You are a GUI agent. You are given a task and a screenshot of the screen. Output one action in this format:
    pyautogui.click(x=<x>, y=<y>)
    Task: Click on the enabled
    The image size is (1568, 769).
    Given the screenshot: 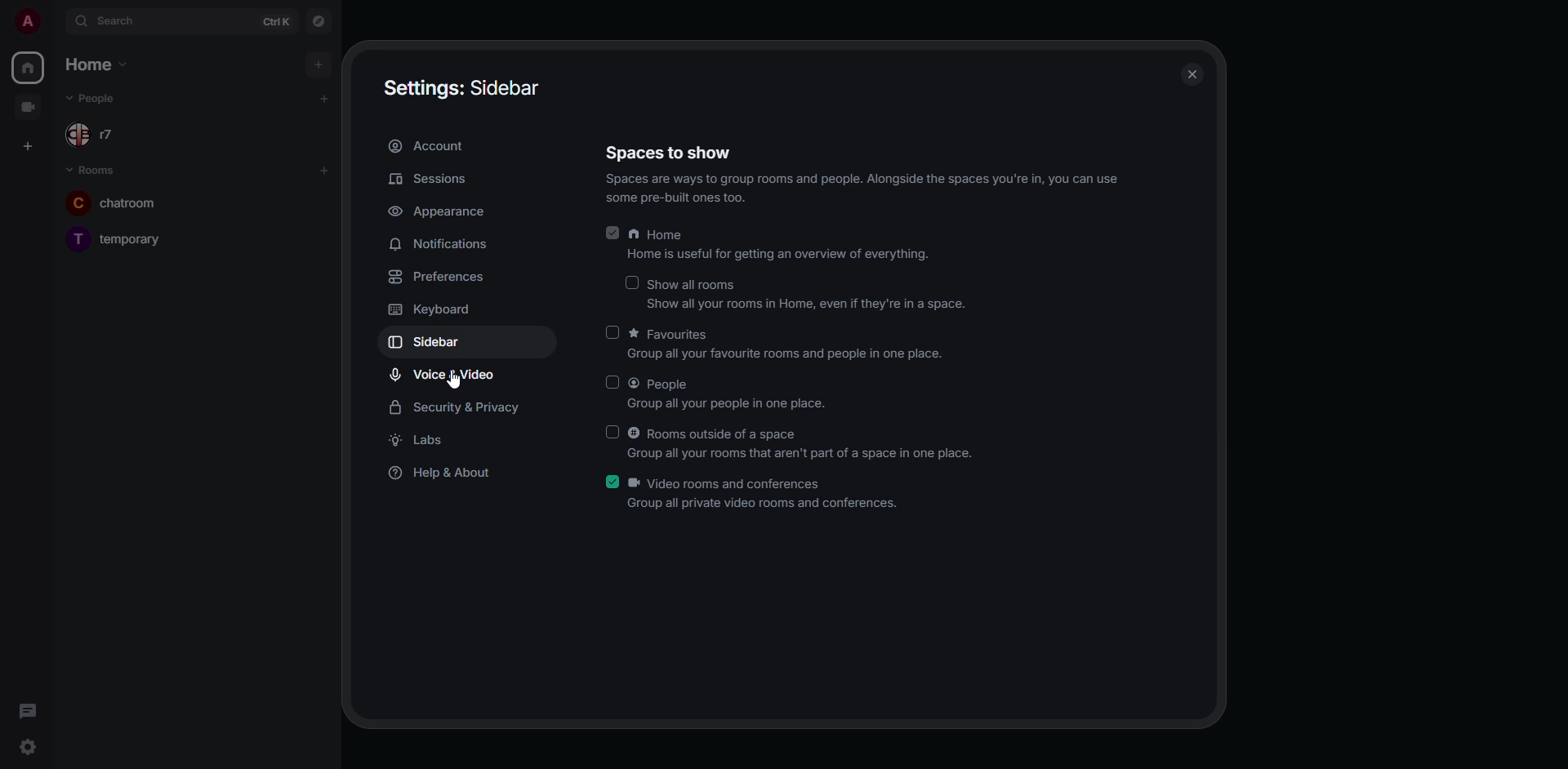 What is the action you would take?
    pyautogui.click(x=613, y=480)
    